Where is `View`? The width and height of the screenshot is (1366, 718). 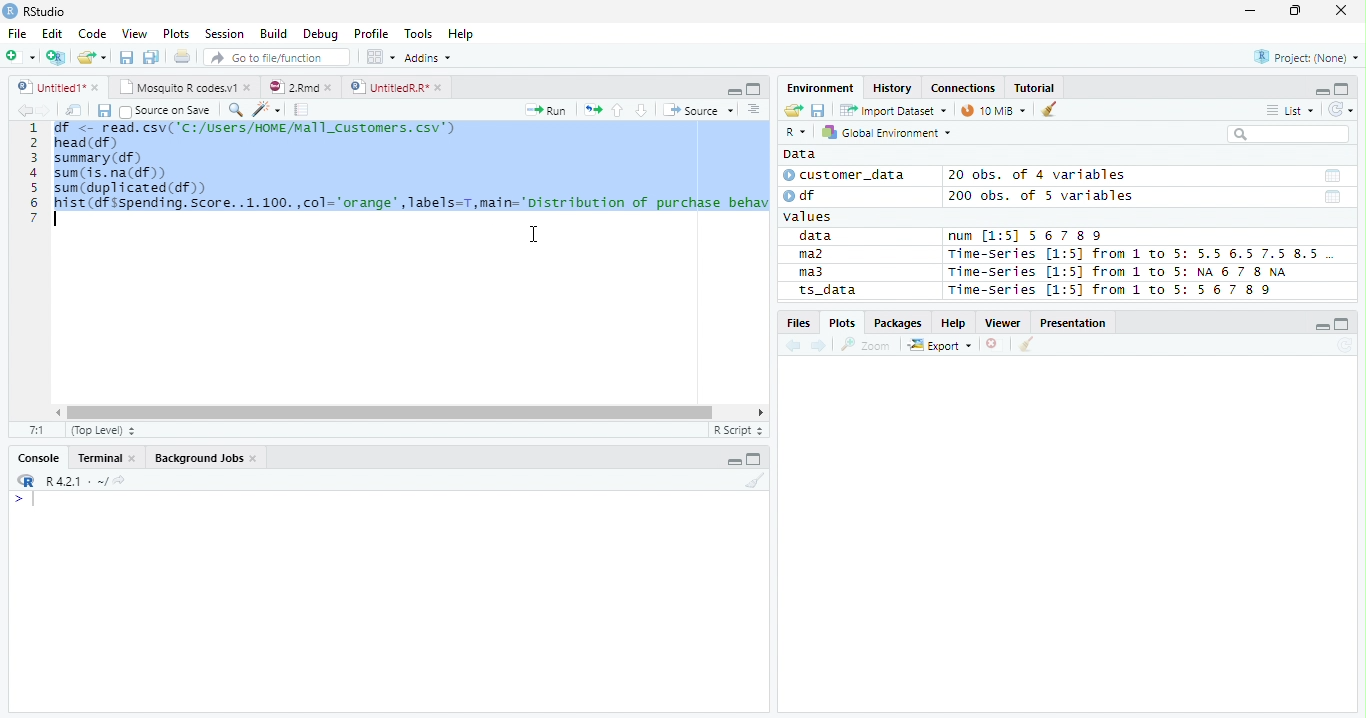
View is located at coordinates (136, 33).